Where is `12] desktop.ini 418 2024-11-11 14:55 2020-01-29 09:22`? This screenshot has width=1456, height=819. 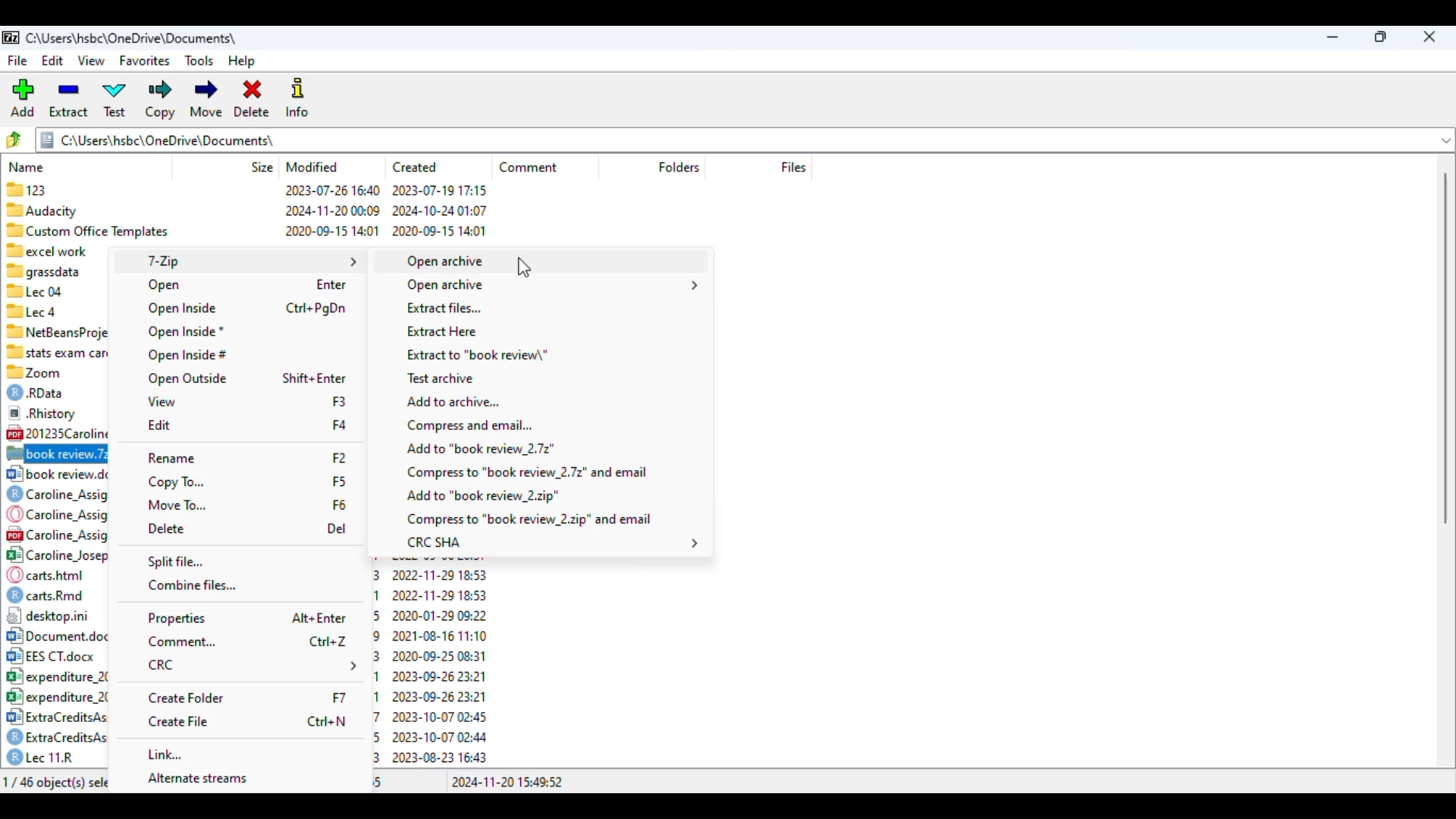 12] desktop.ini 418 2024-11-11 14:55 2020-01-29 09:22 is located at coordinates (55, 615).